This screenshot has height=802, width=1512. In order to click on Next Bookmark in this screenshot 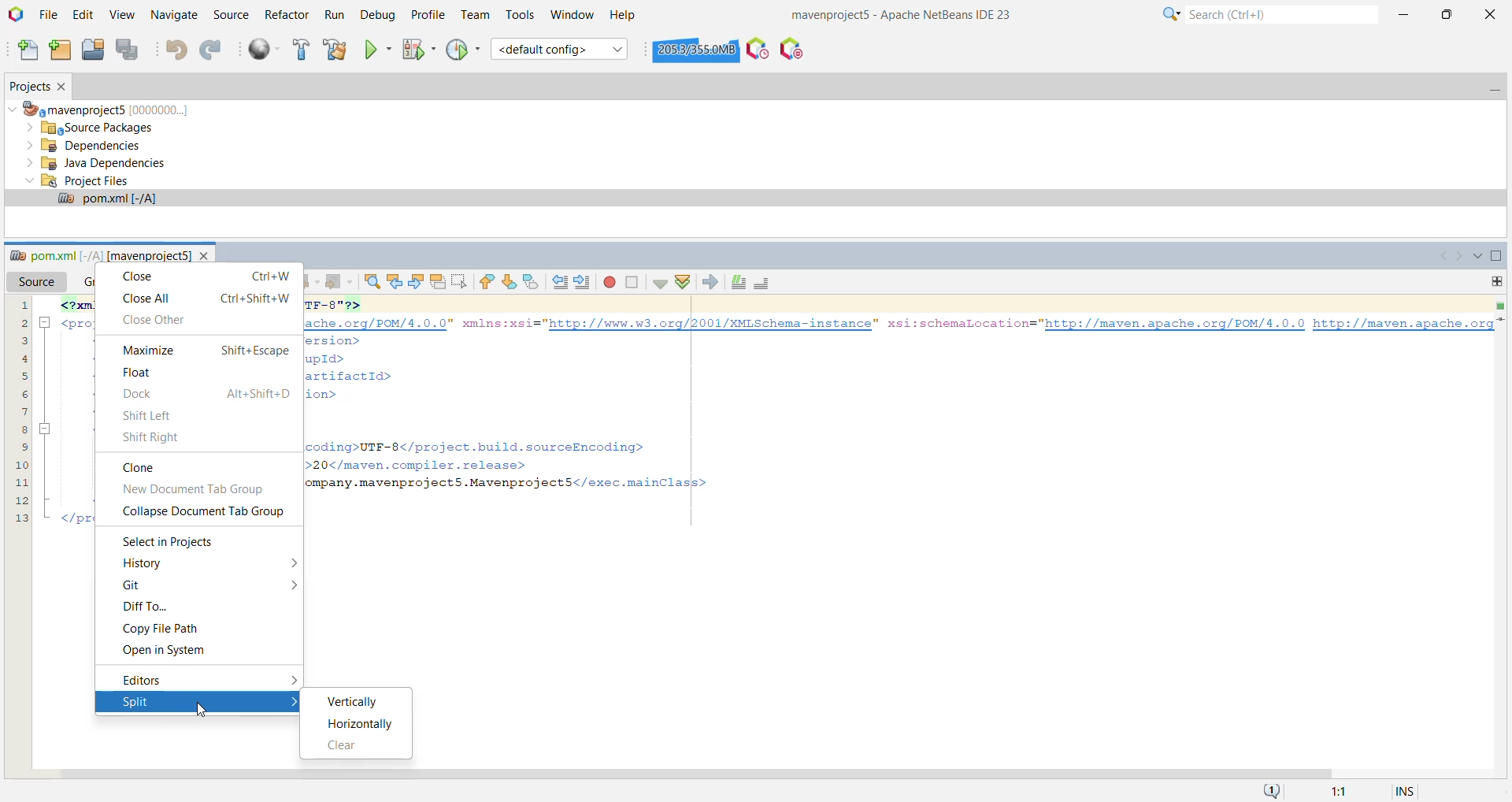, I will do `click(508, 282)`.